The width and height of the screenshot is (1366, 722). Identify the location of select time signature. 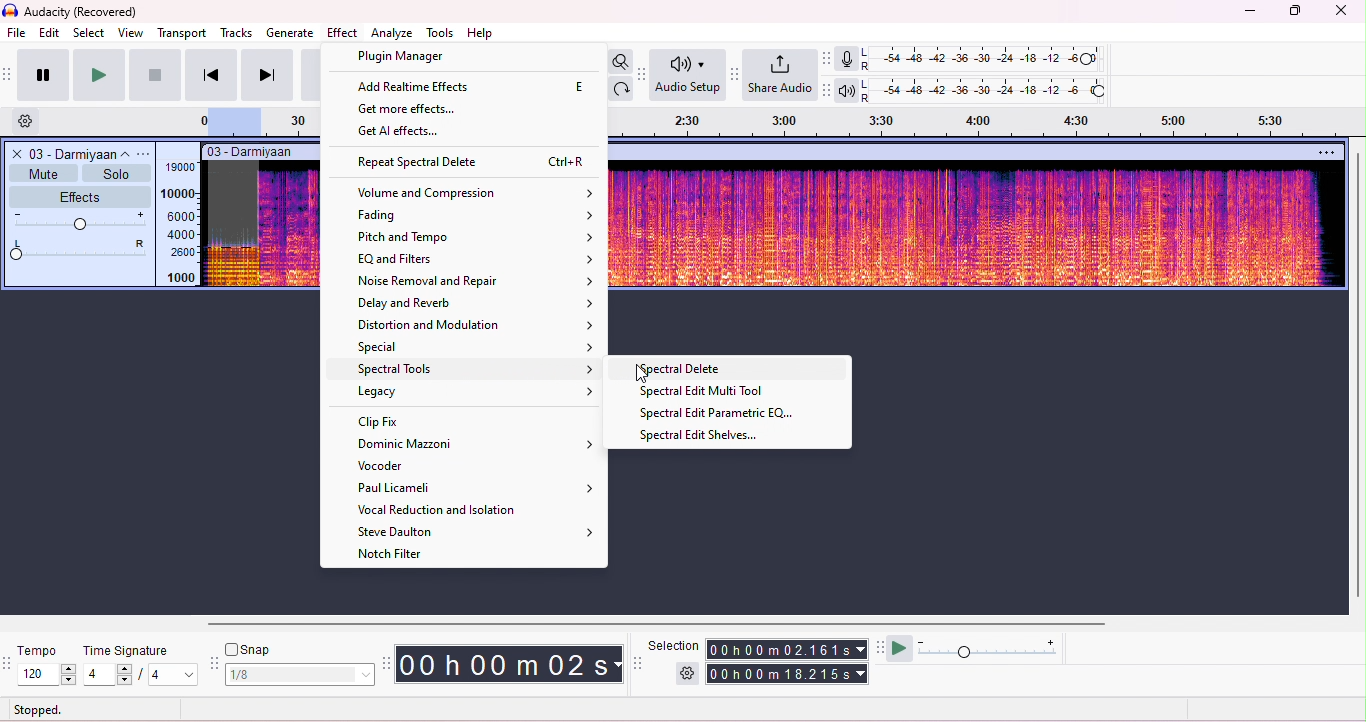
(139, 675).